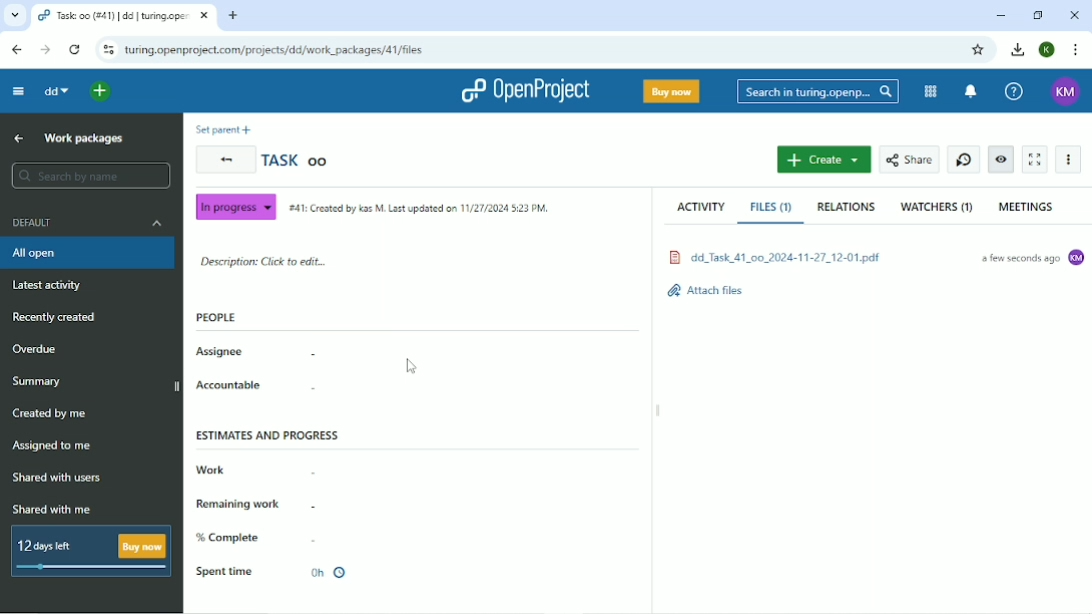  I want to click on Created by and on, so click(420, 208).